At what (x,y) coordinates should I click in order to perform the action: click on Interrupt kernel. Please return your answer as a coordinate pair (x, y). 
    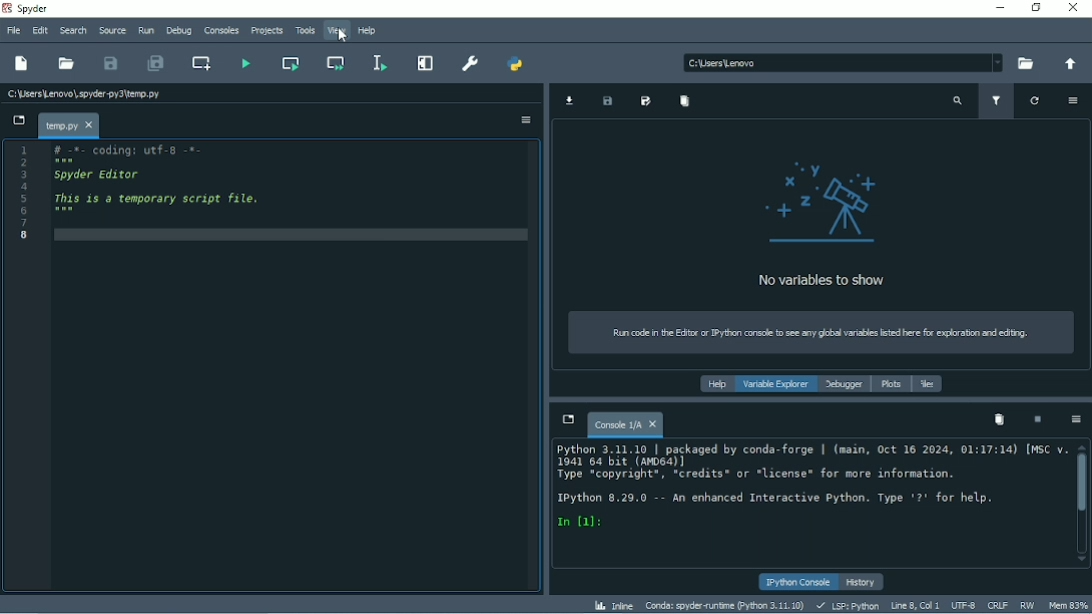
    Looking at the image, I should click on (1037, 420).